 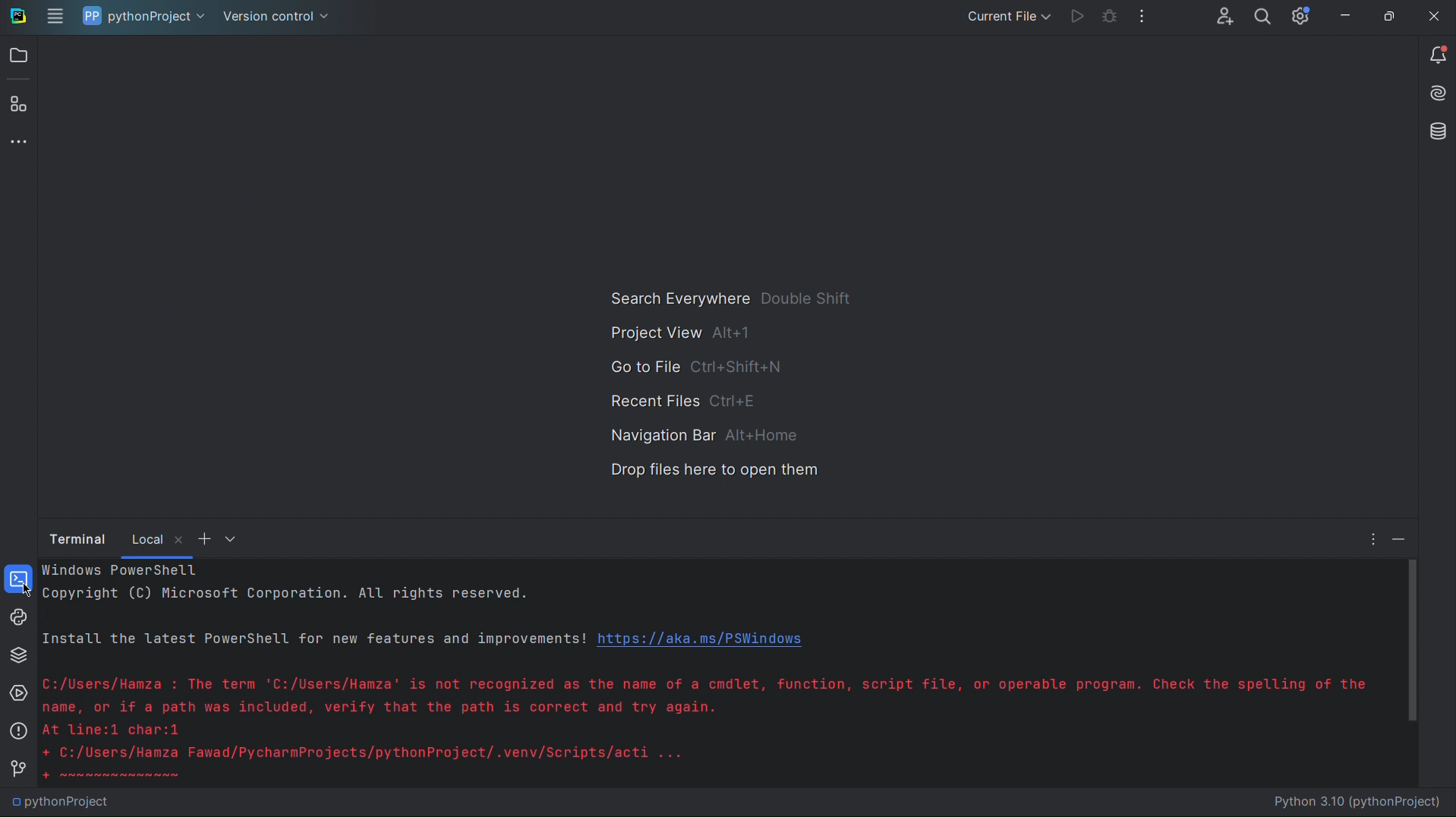 I want to click on Python Packages, so click(x=19, y=657).